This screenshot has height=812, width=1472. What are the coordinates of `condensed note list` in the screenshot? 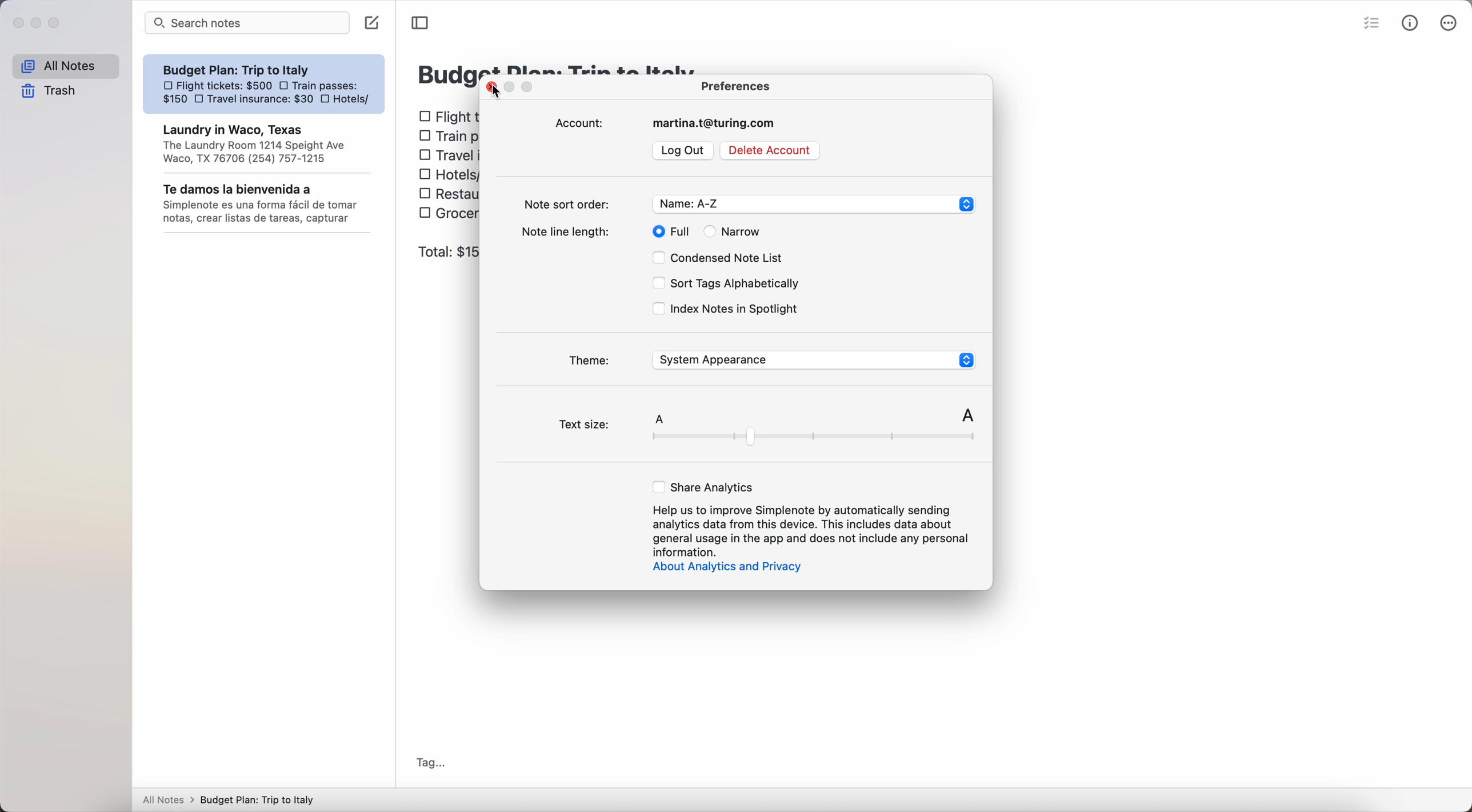 It's located at (719, 256).